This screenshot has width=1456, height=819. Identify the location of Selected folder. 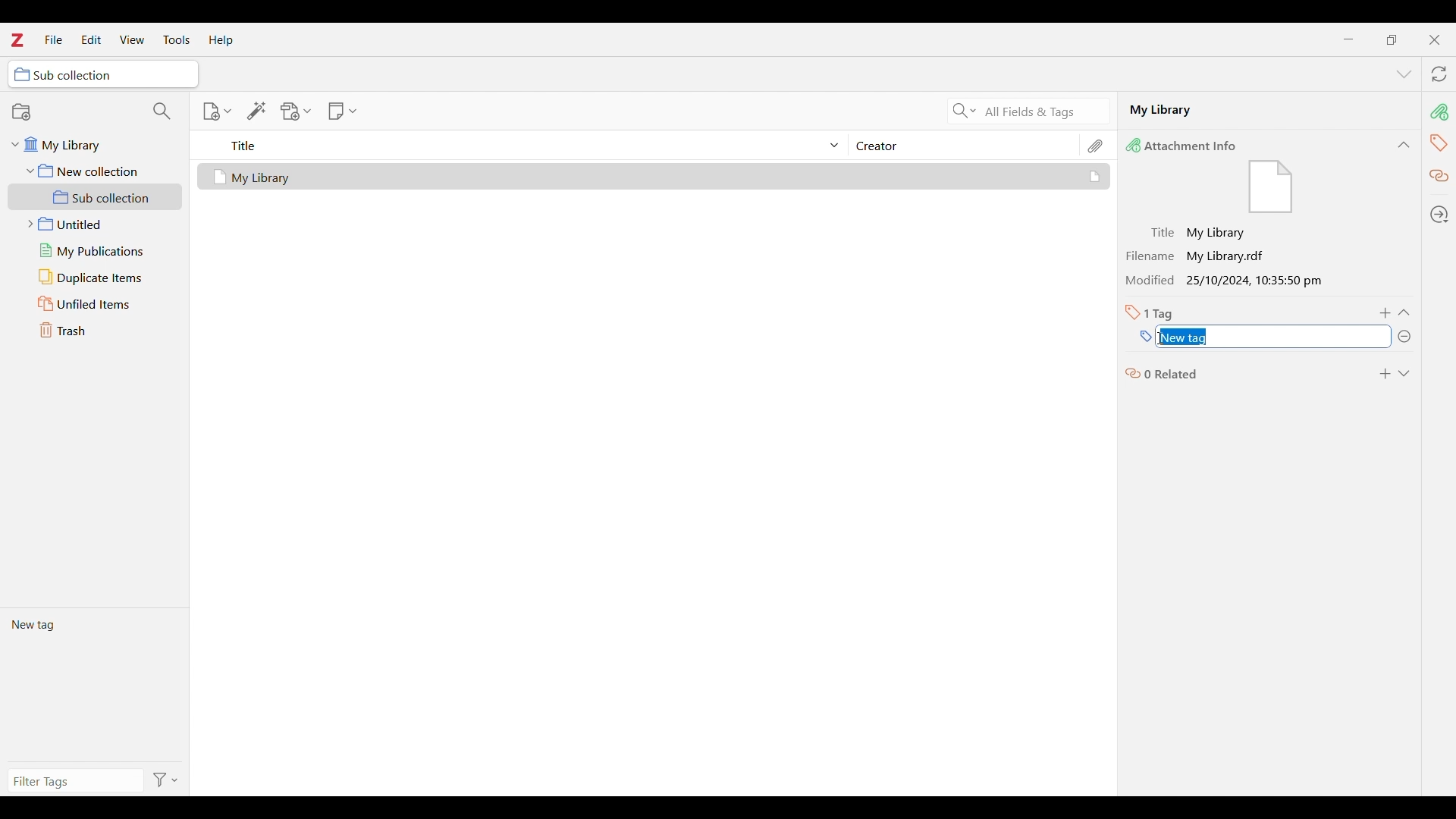
(103, 74).